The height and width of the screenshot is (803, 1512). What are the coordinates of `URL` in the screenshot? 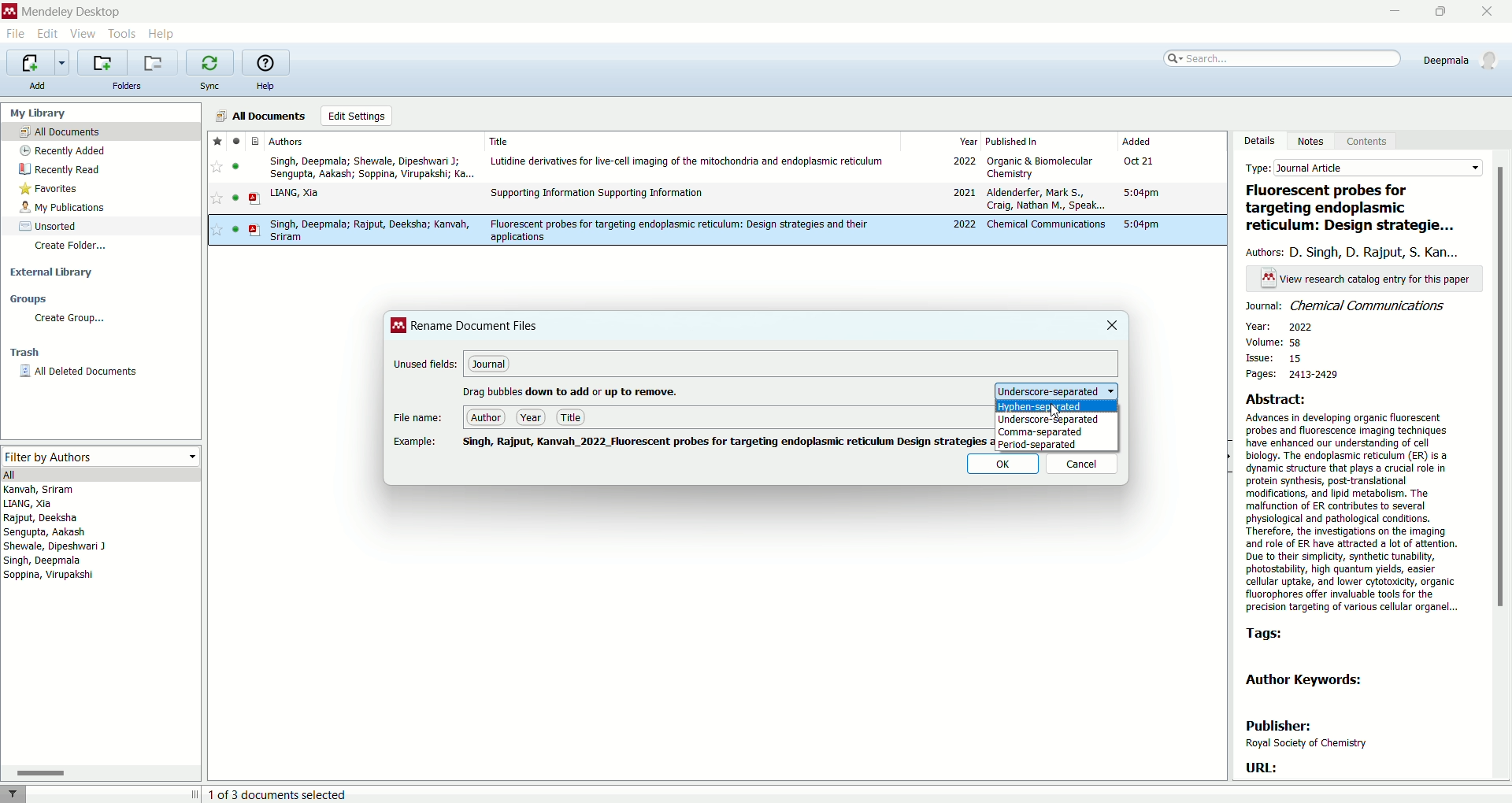 It's located at (1261, 768).